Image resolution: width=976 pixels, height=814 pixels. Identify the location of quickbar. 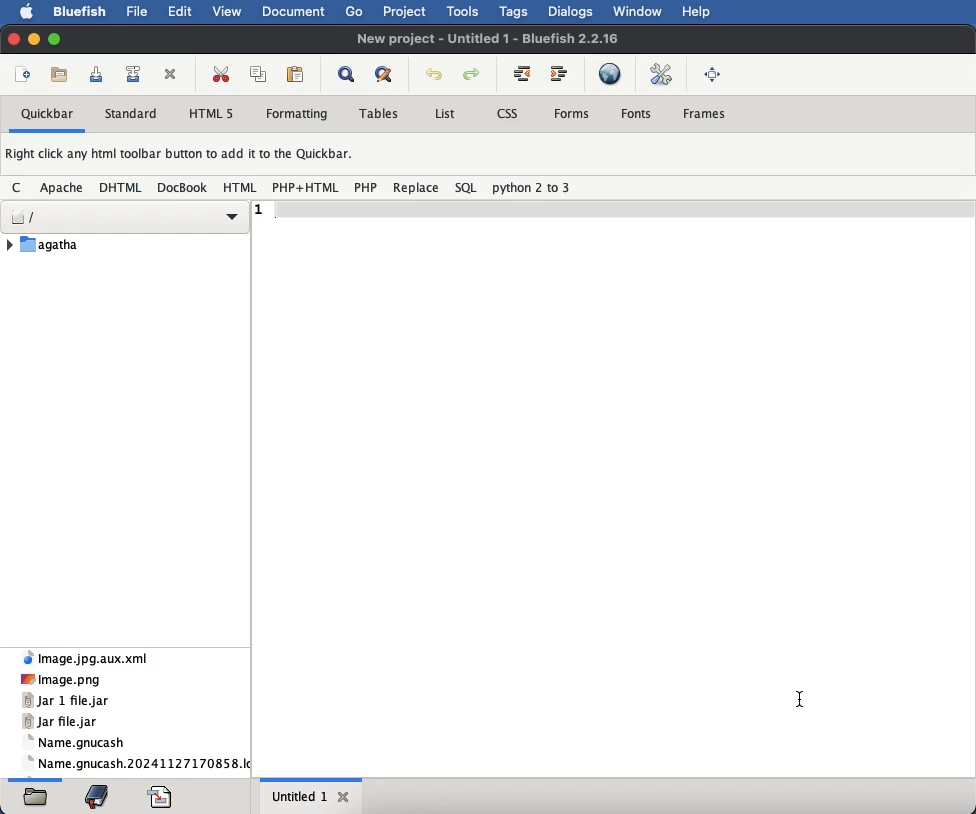
(49, 115).